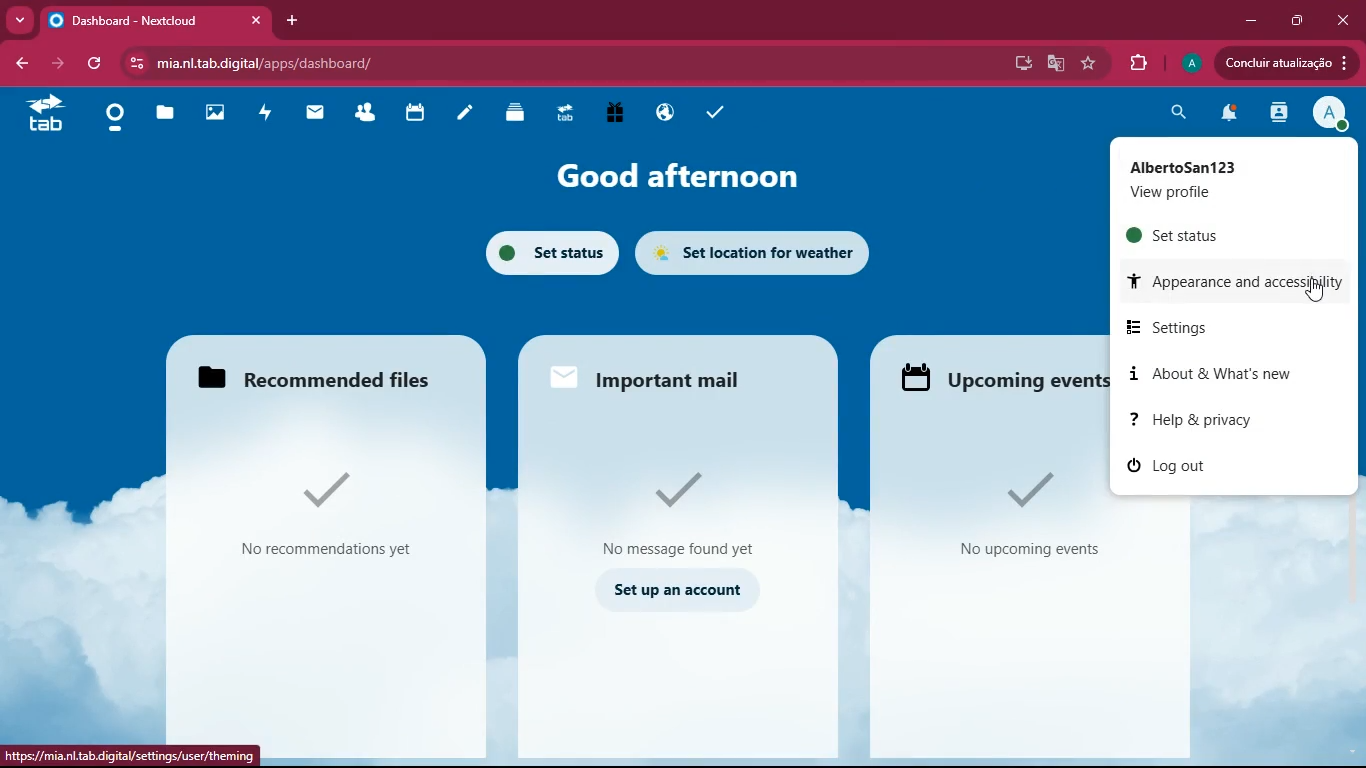  Describe the element at coordinates (55, 62) in the screenshot. I see `forward` at that location.